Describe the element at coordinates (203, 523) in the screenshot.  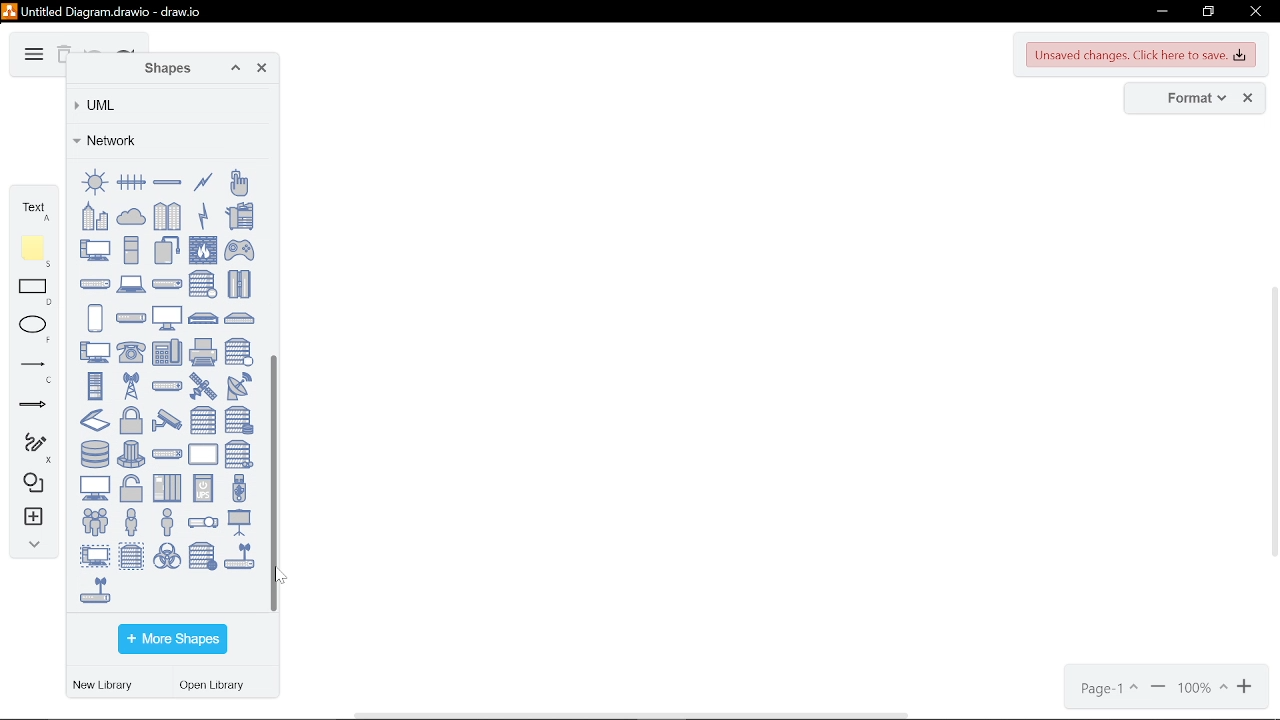
I see `video projector` at that location.